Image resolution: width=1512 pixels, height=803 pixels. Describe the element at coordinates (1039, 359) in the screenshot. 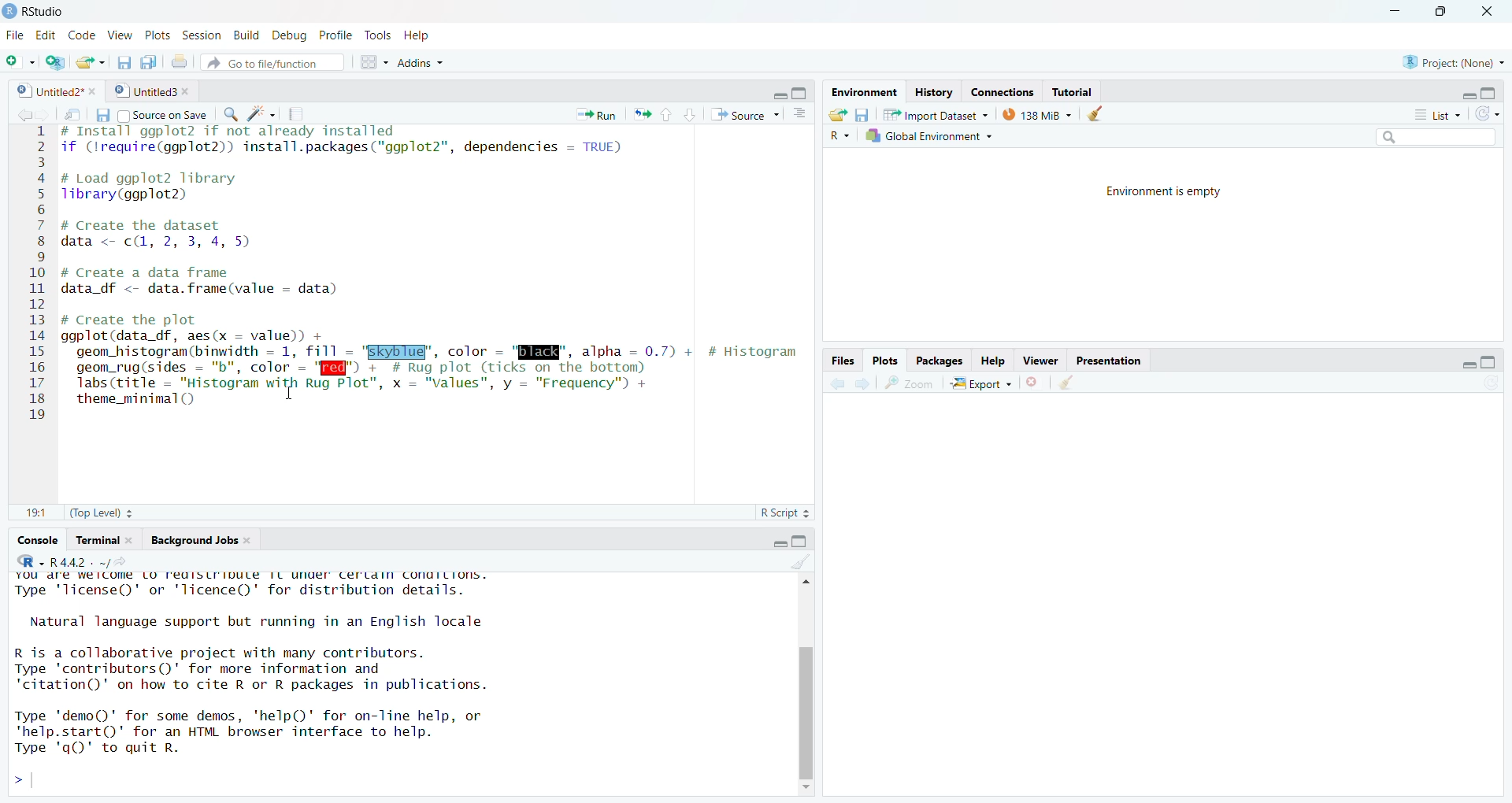

I see `Viewer` at that location.